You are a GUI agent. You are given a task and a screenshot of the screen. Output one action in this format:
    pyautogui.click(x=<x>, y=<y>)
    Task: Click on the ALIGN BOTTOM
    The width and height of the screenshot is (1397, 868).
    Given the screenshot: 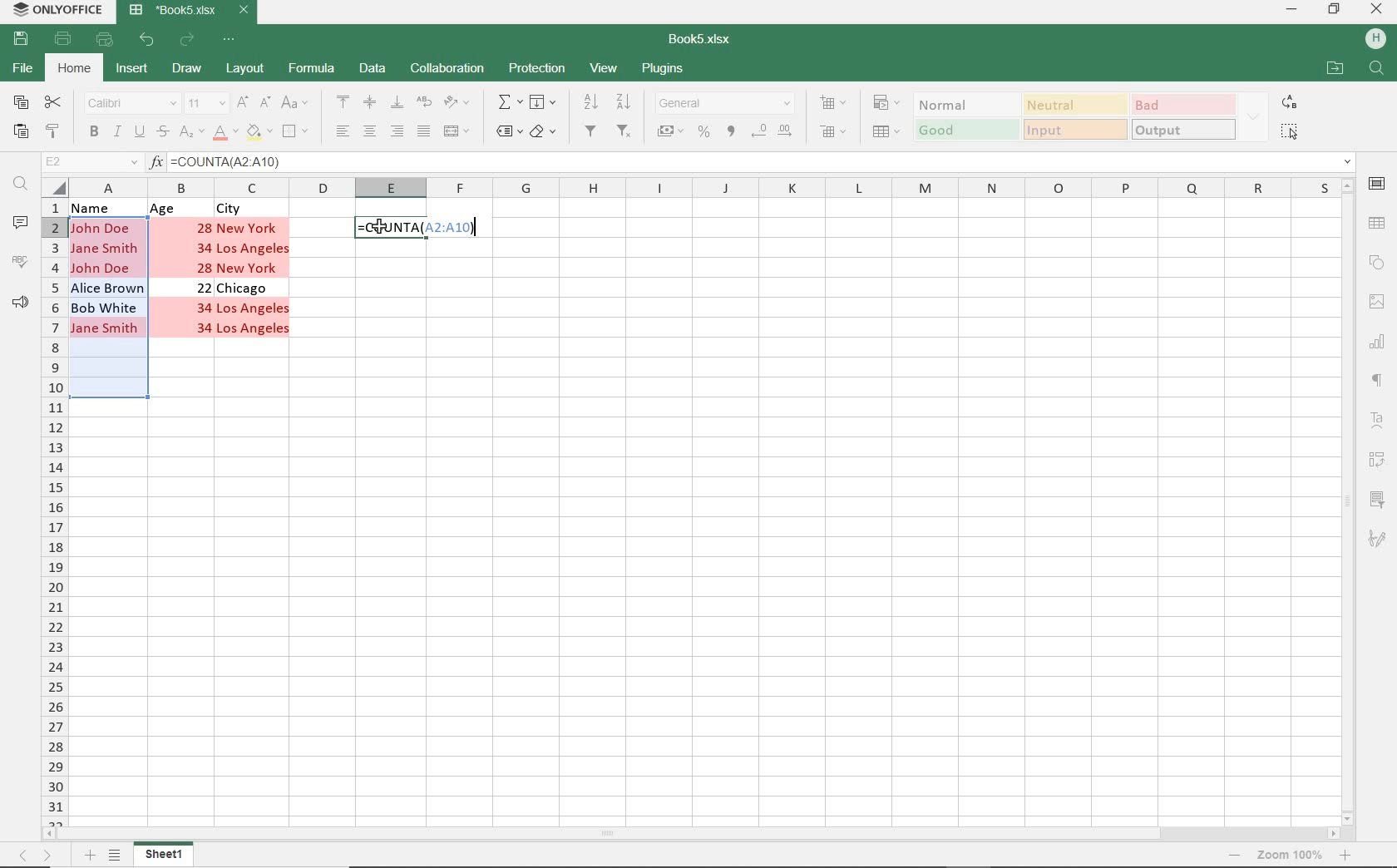 What is the action you would take?
    pyautogui.click(x=395, y=102)
    